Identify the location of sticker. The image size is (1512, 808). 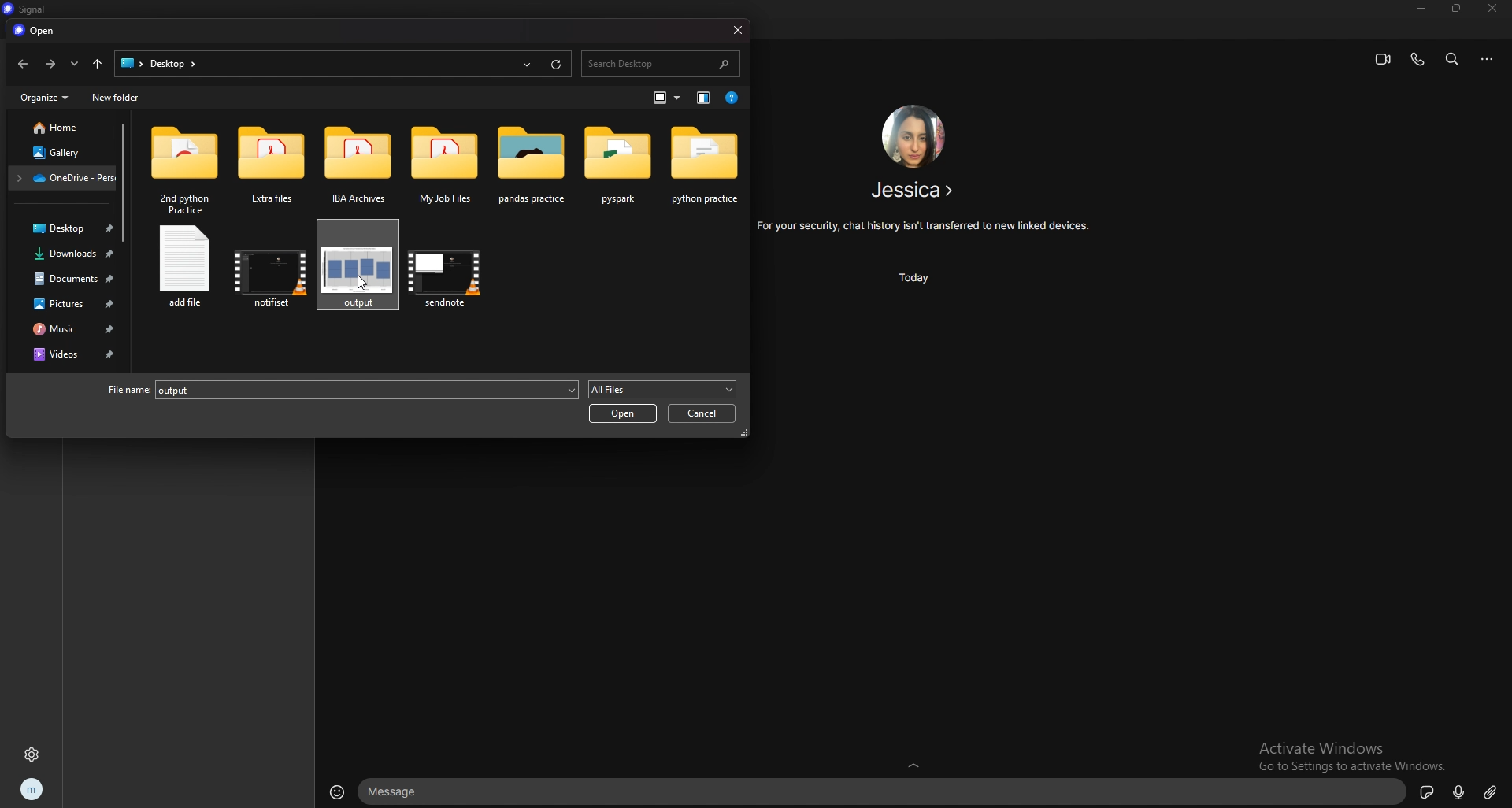
(1426, 792).